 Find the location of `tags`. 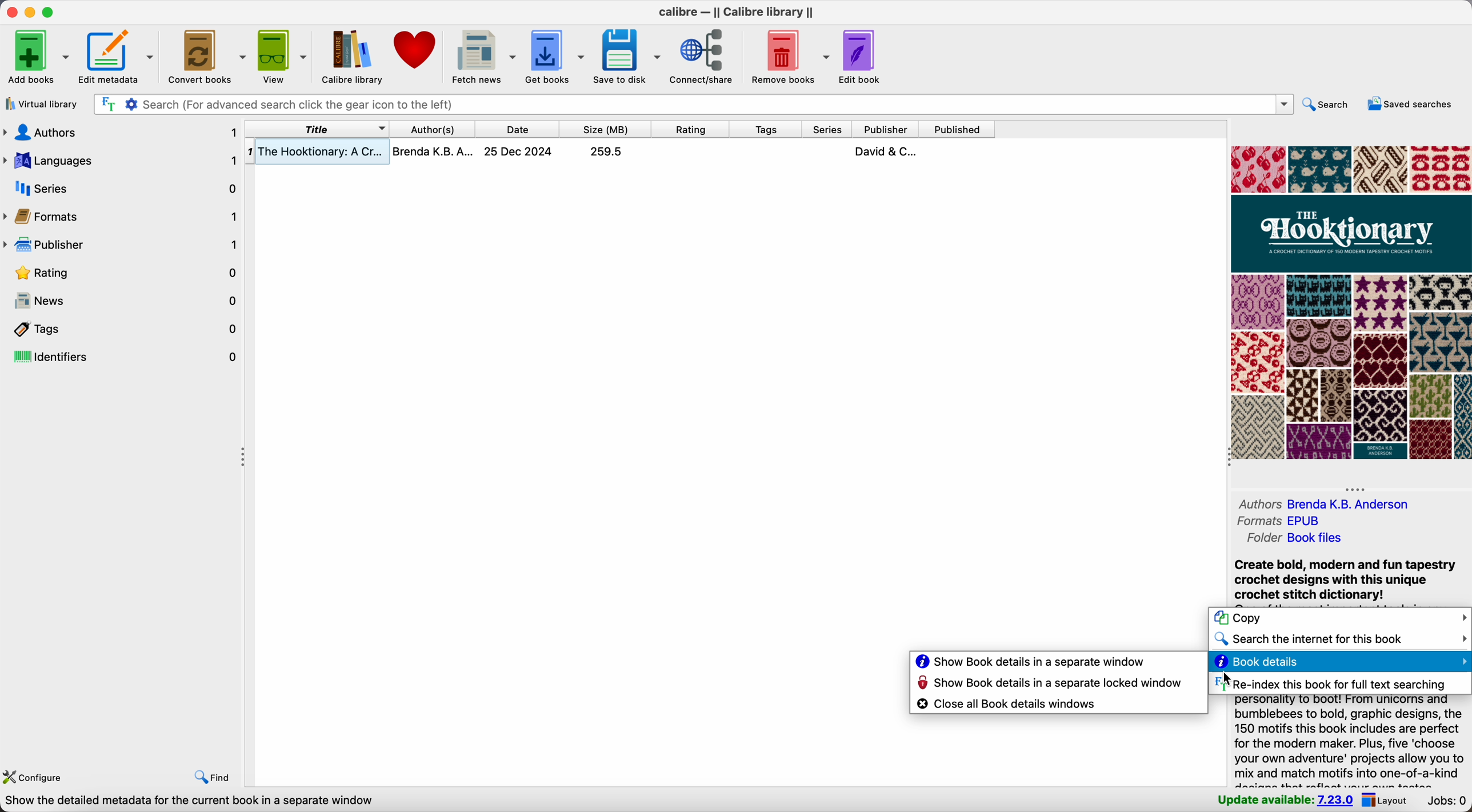

tags is located at coordinates (765, 129).